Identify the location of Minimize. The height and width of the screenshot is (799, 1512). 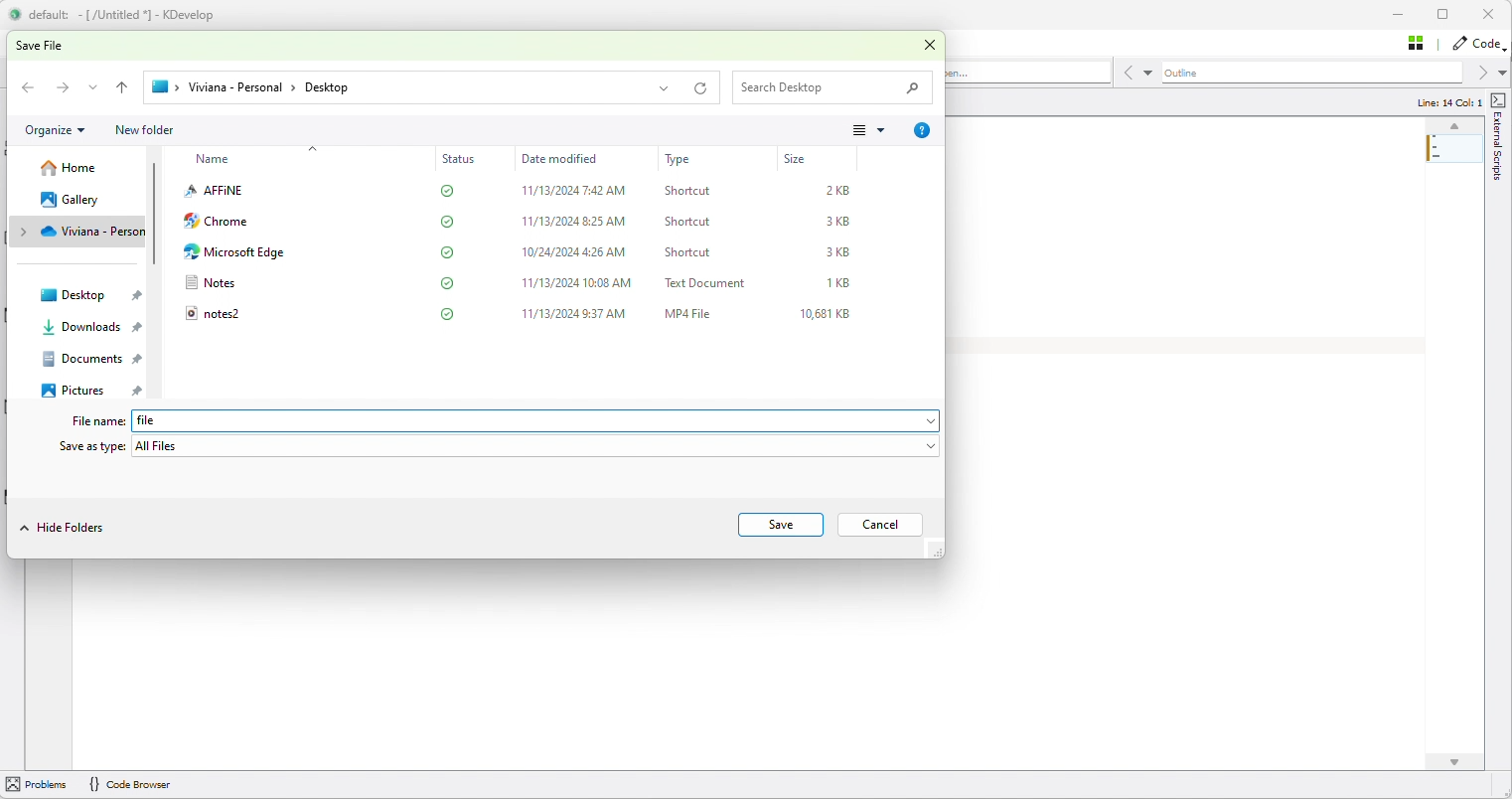
(1400, 14).